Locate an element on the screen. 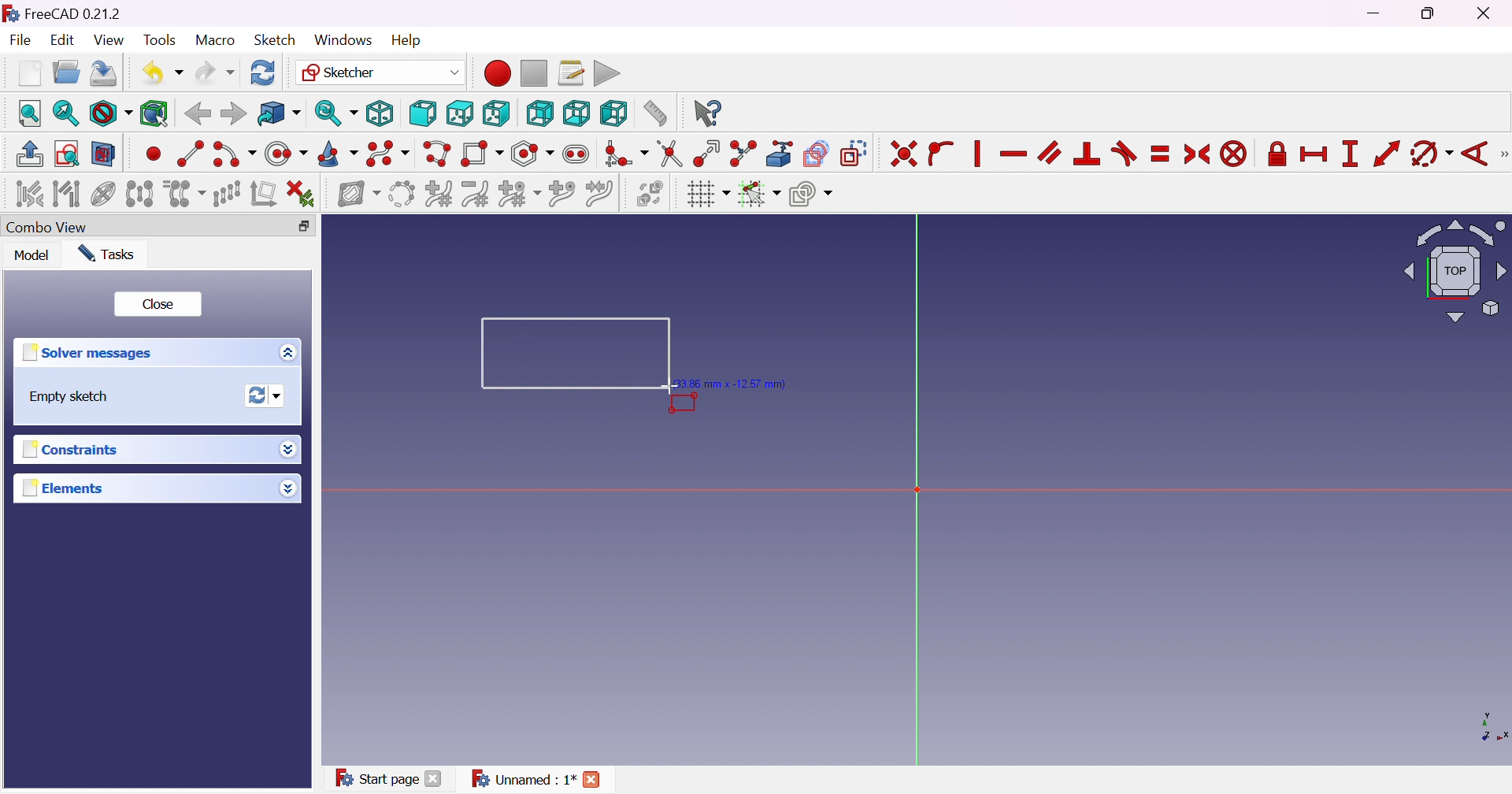 The image size is (1512, 794). Create external geometry is located at coordinates (780, 154).